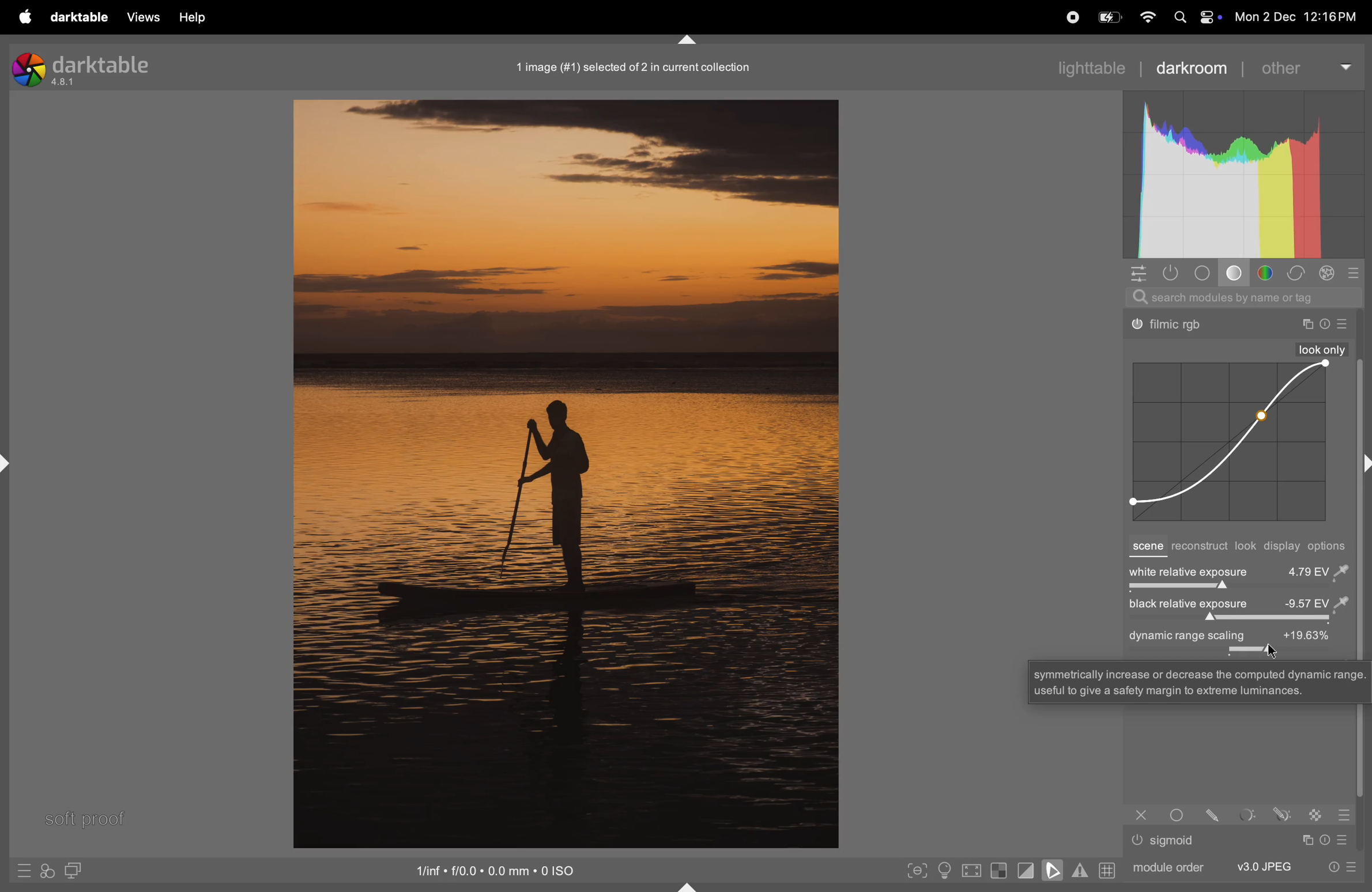 The image size is (1372, 892). Describe the element at coordinates (1243, 175) in the screenshot. I see `histogram` at that location.